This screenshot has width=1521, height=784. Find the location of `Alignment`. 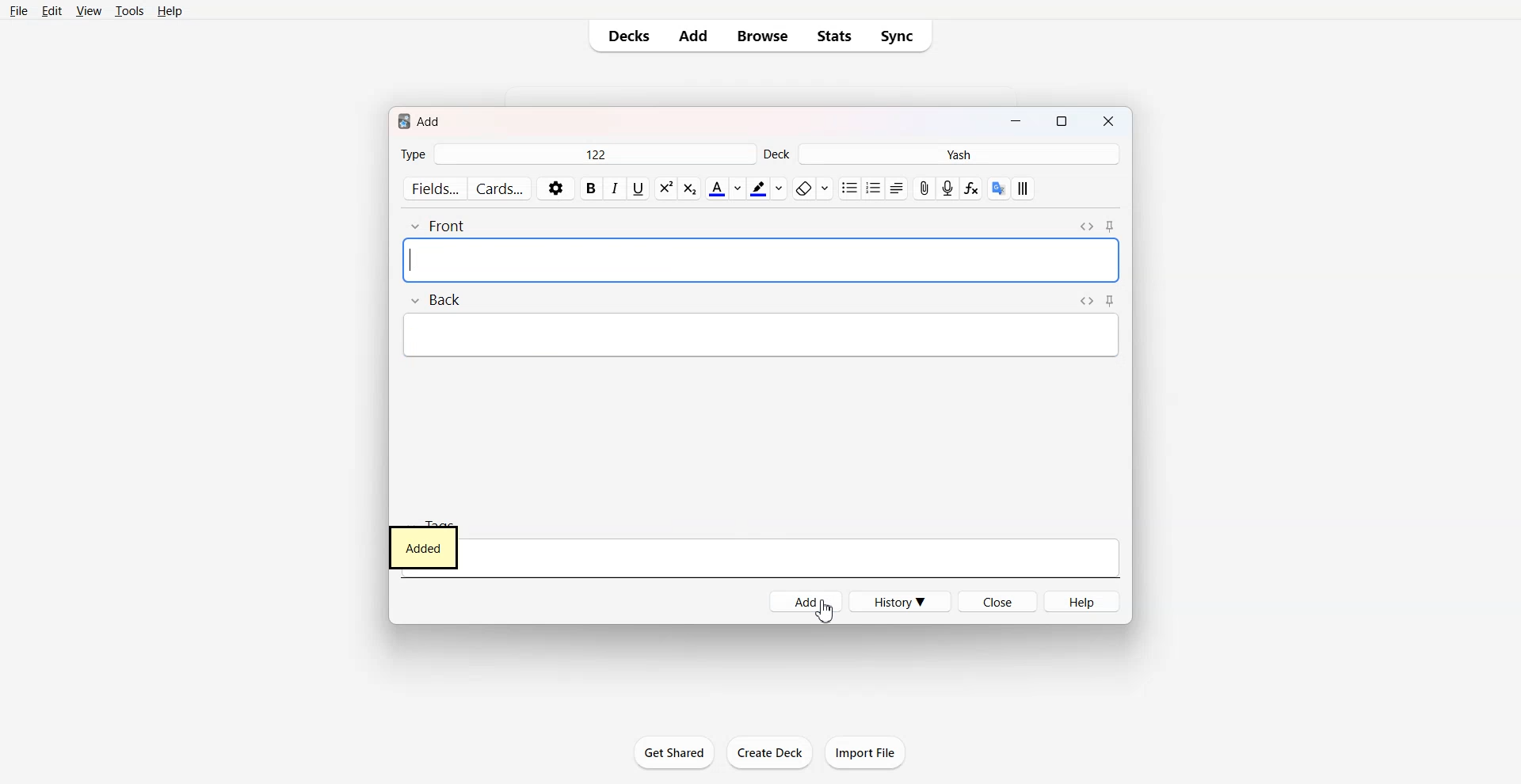

Alignment is located at coordinates (896, 188).